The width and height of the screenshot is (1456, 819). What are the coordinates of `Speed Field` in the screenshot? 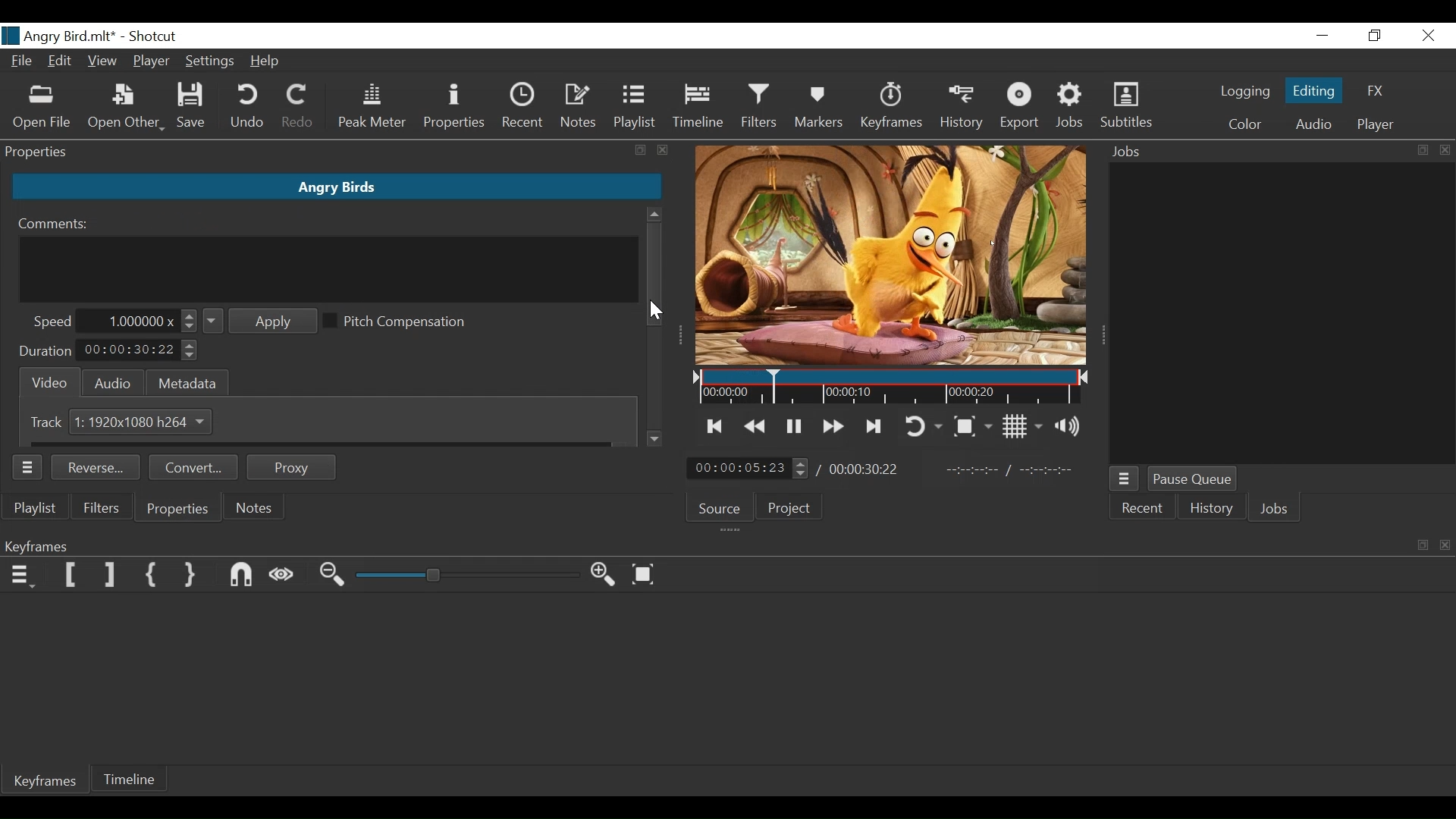 It's located at (139, 321).